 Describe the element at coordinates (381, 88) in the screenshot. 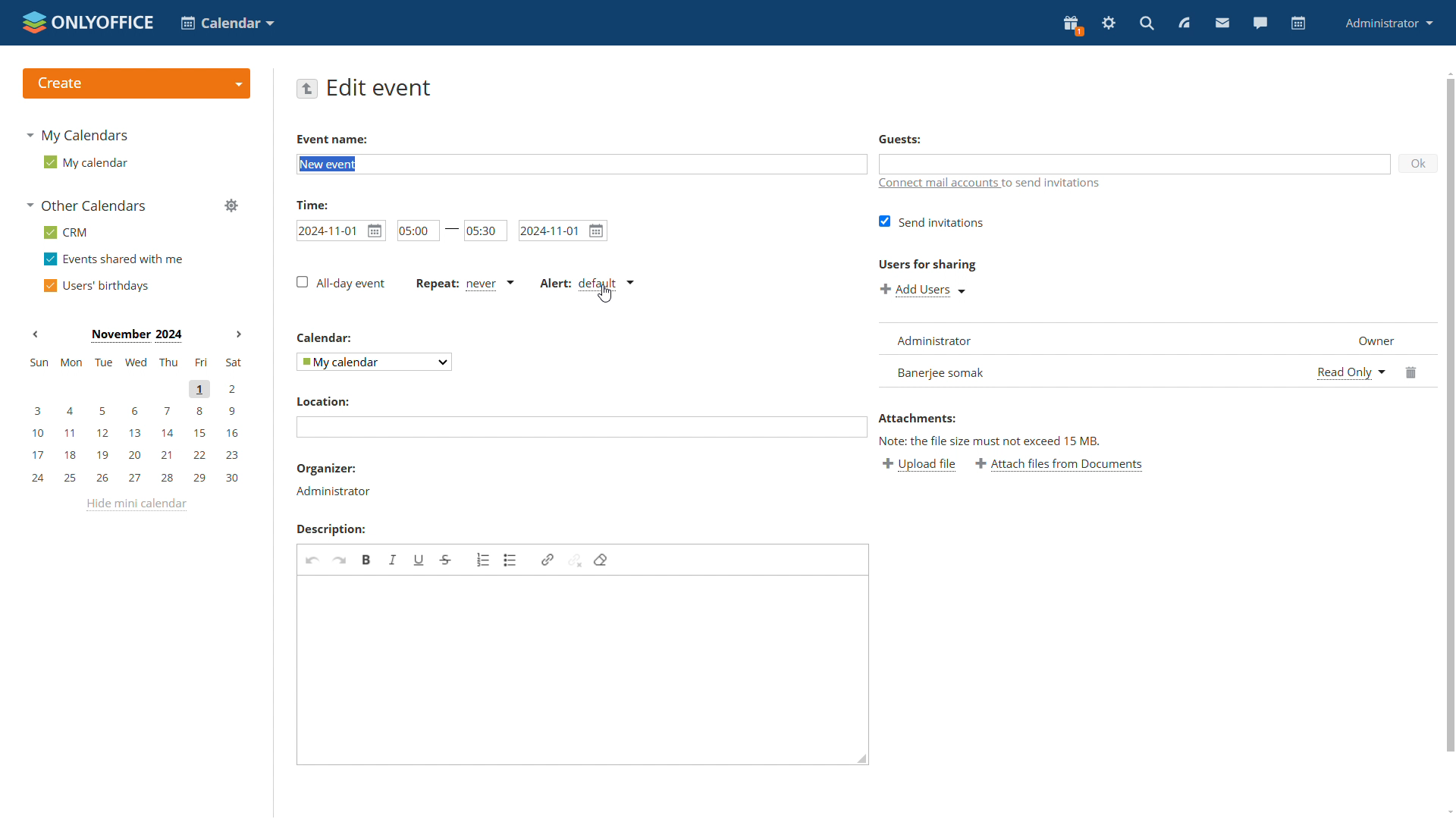

I see `edit event` at that location.